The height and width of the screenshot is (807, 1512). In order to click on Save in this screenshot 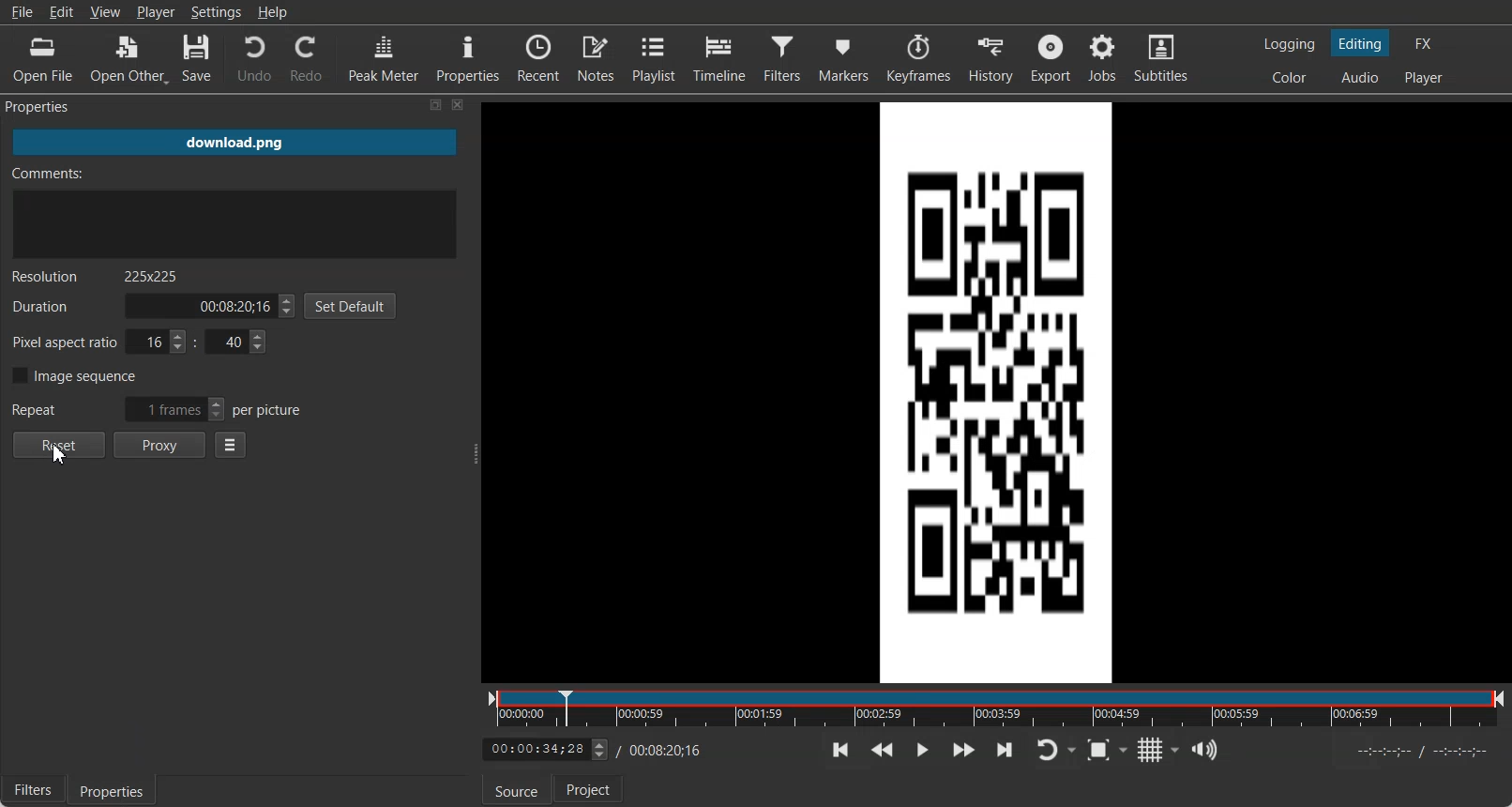, I will do `click(200, 58)`.